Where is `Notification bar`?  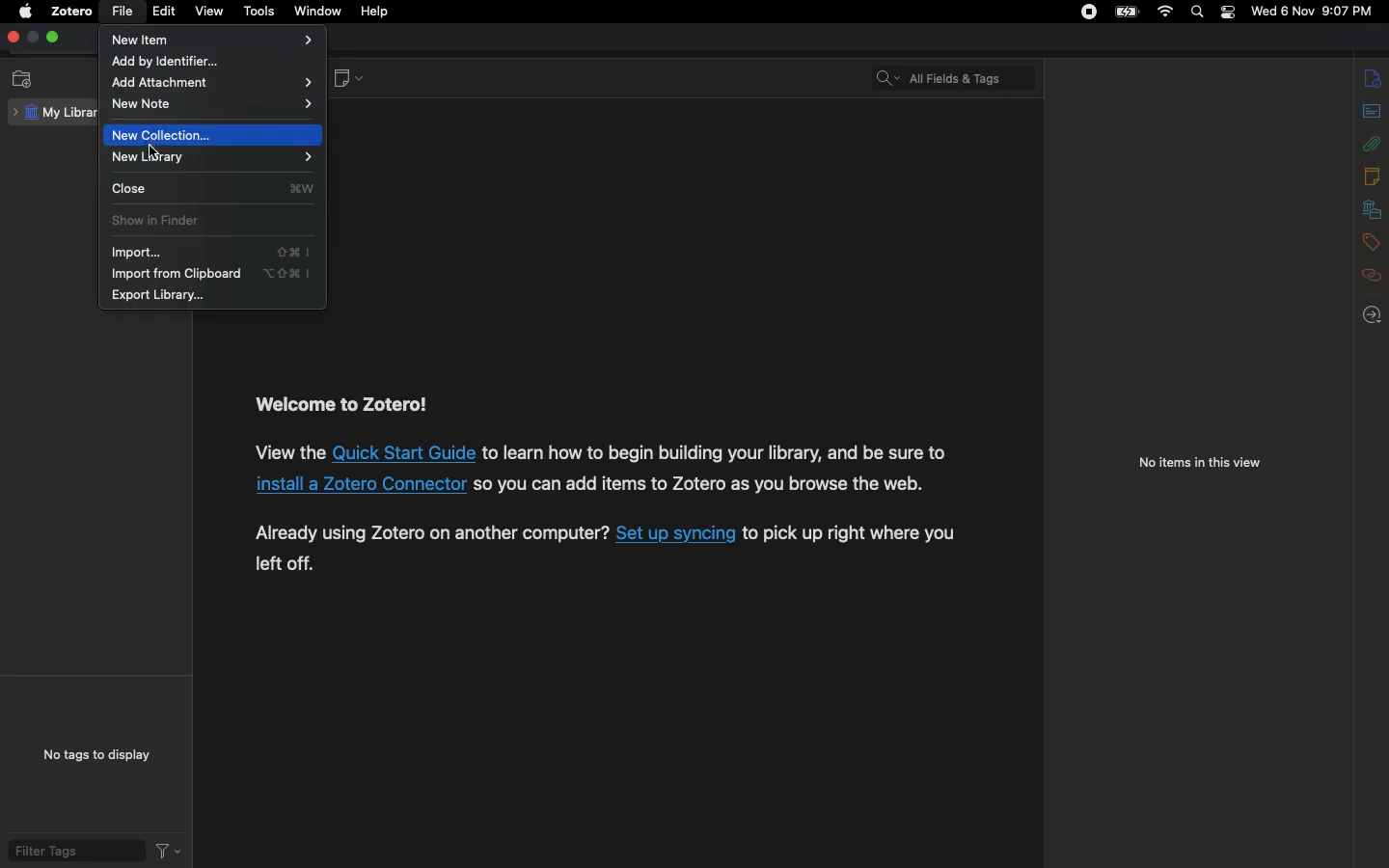
Notification bar is located at coordinates (1225, 14).